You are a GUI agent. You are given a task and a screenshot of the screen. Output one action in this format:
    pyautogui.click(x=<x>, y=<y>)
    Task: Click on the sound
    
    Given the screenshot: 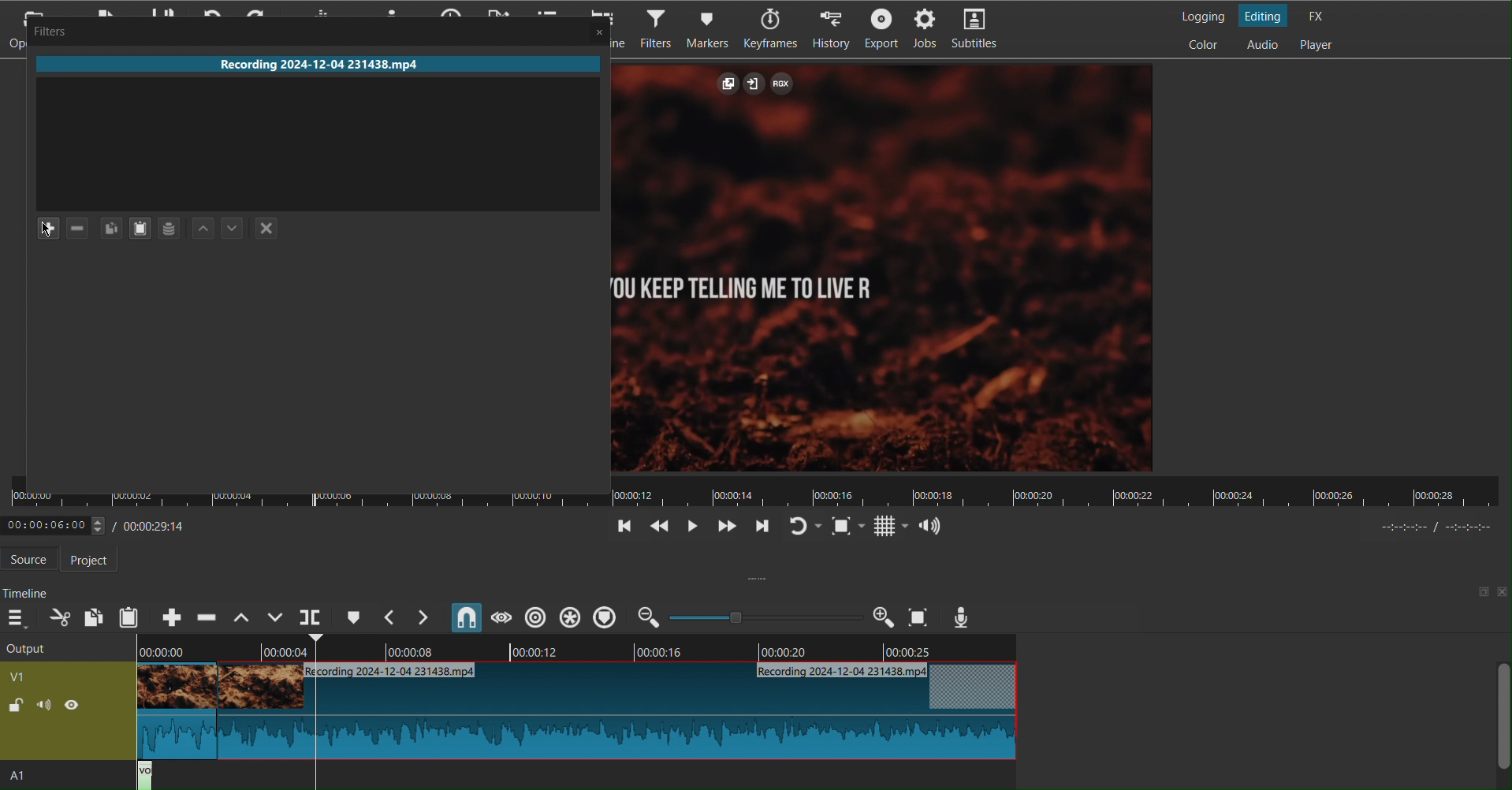 What is the action you would take?
    pyautogui.click(x=45, y=708)
    